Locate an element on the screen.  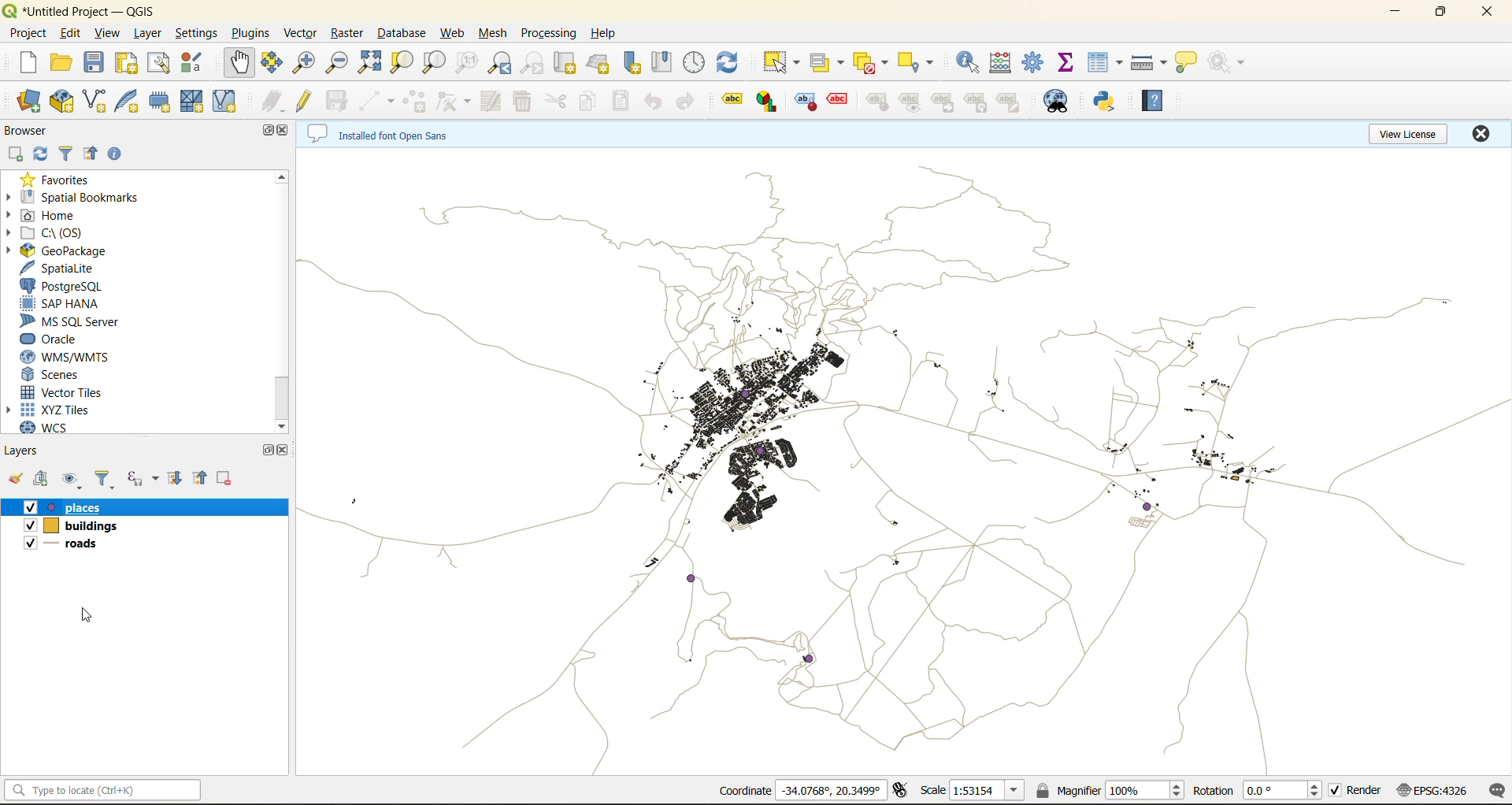
checkbox is located at coordinates (30, 543).